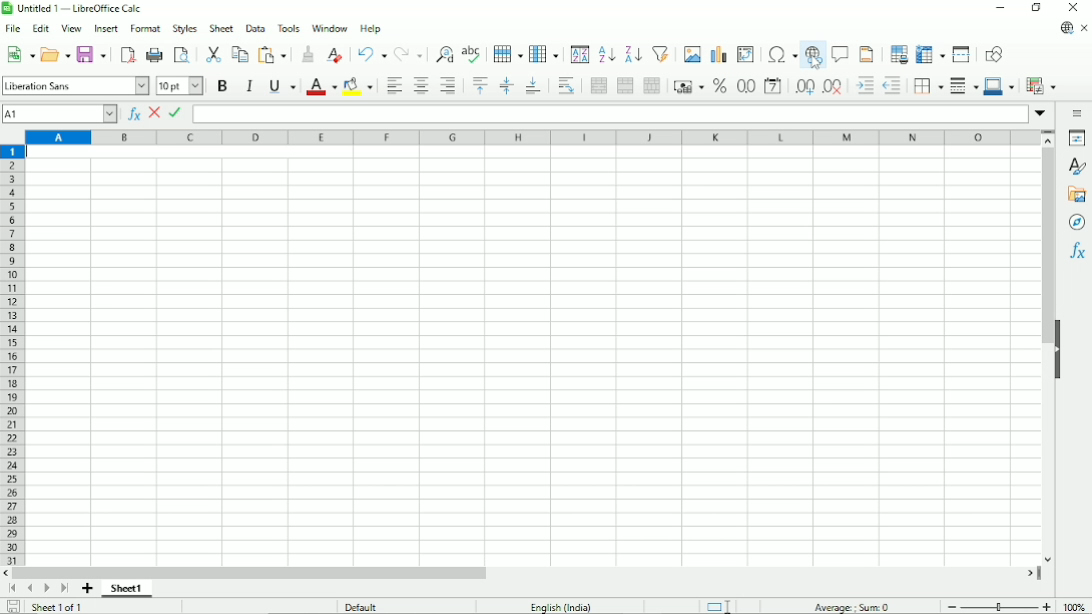 This screenshot has width=1092, height=614. Describe the element at coordinates (610, 114) in the screenshot. I see `Input line` at that location.